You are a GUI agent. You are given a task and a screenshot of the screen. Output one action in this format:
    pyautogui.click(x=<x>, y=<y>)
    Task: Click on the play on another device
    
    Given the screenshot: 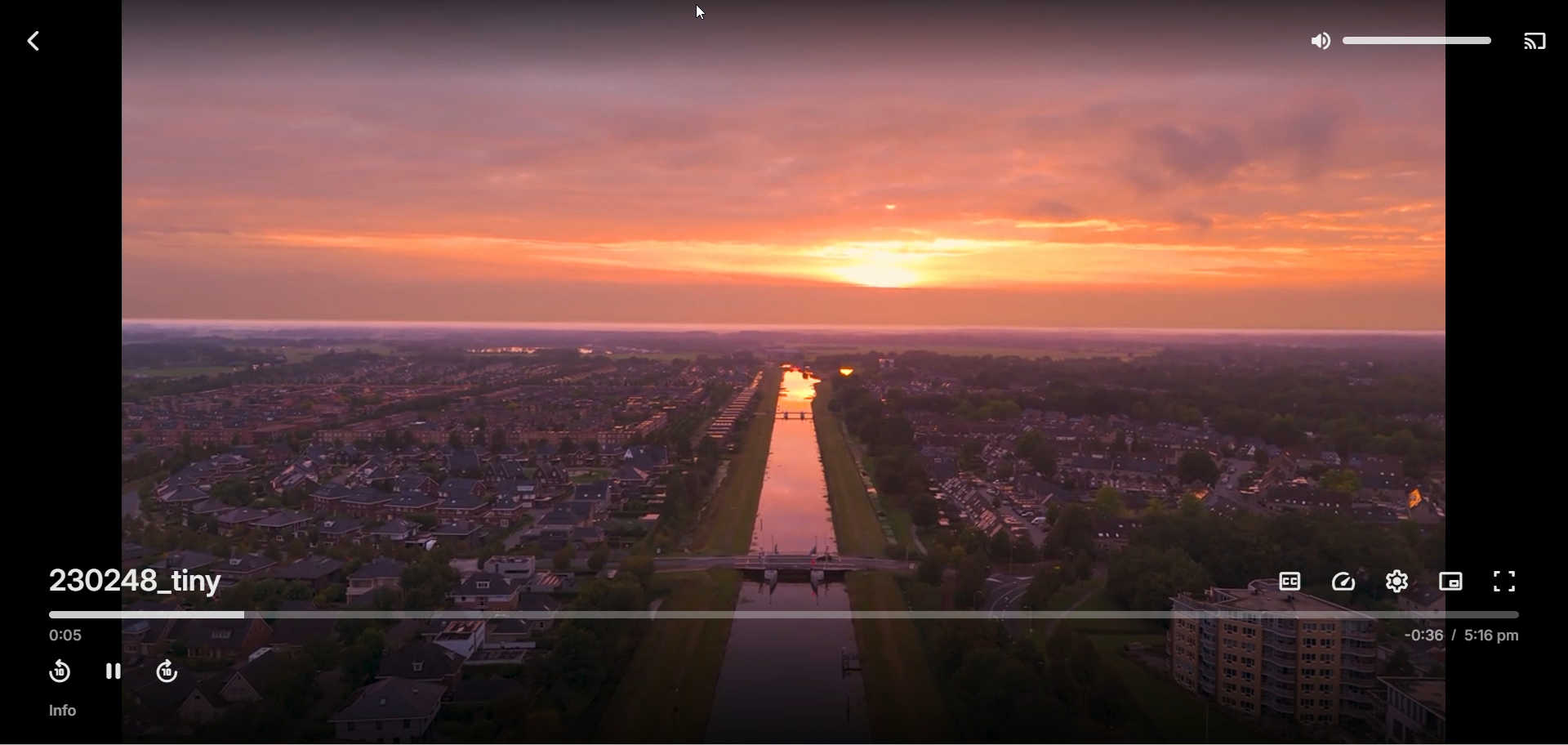 What is the action you would take?
    pyautogui.click(x=1540, y=43)
    